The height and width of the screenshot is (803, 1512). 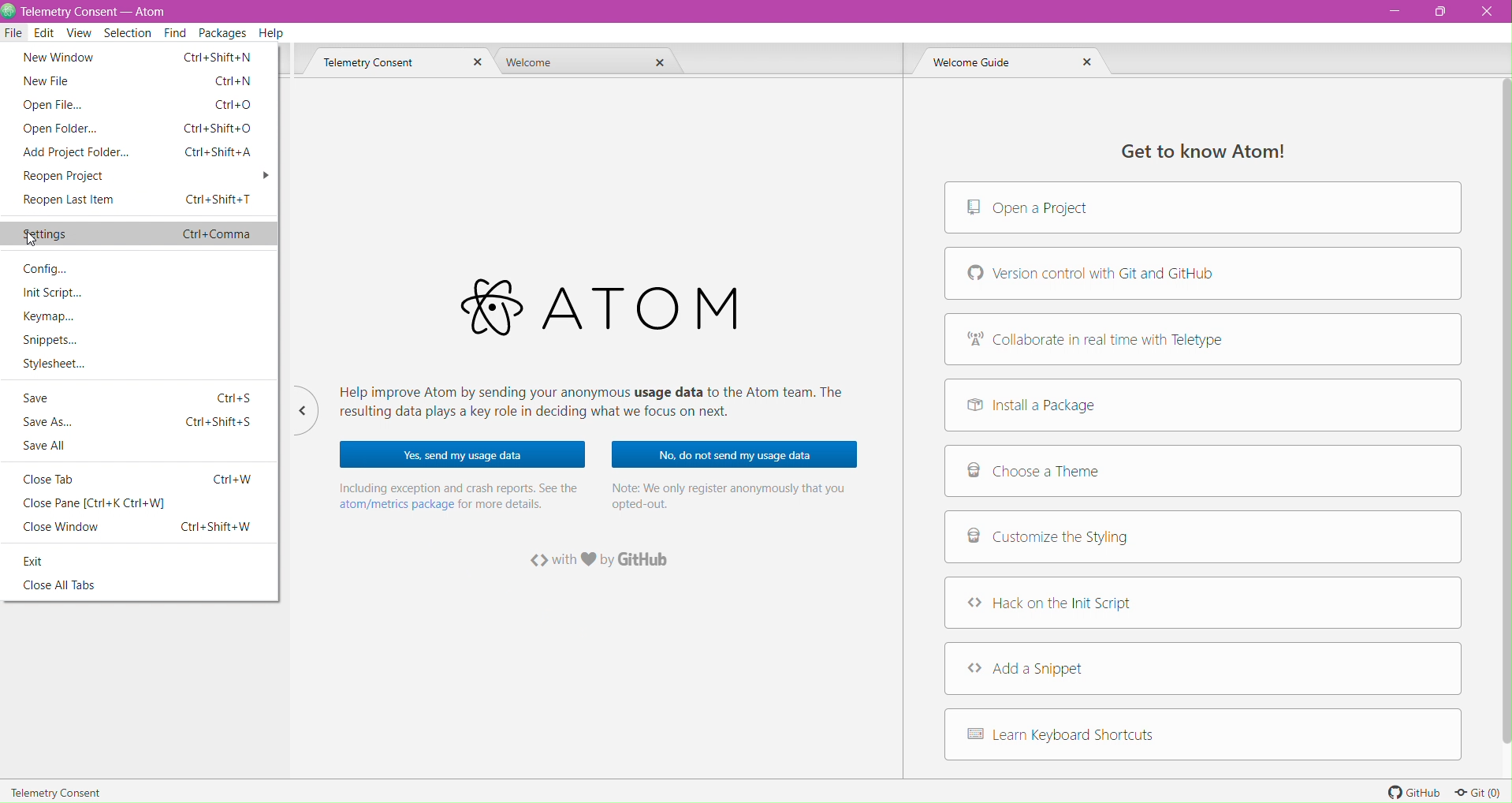 I want to click on Application Logo and Name, so click(x=596, y=308).